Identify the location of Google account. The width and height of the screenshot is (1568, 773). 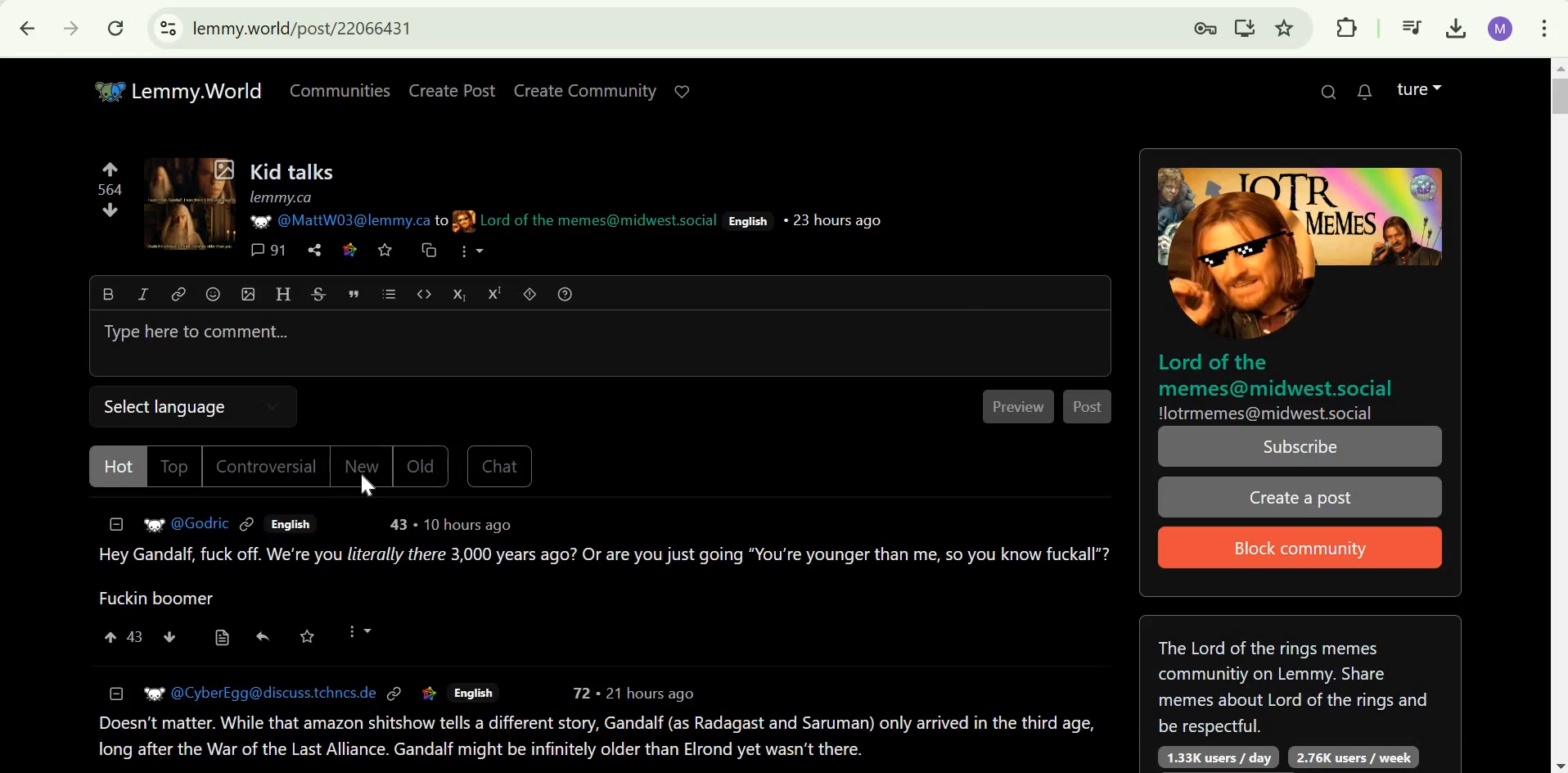
(1500, 29).